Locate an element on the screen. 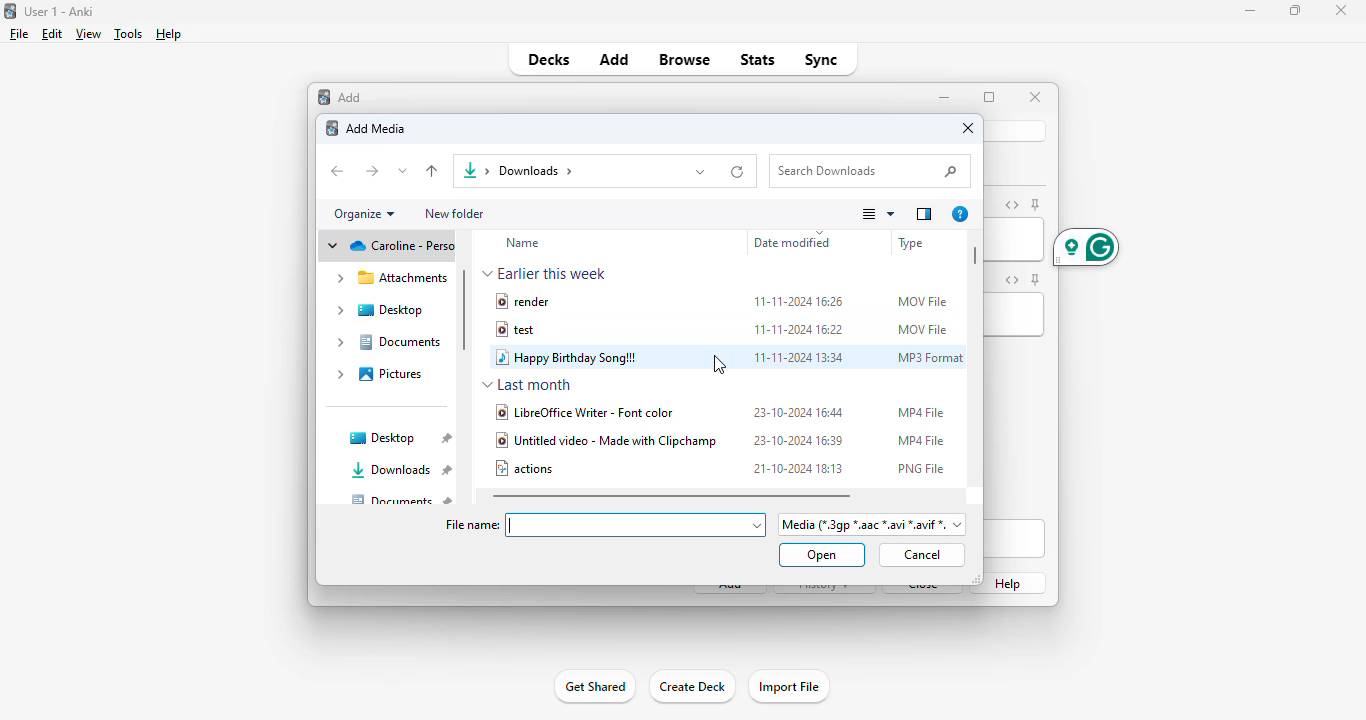 The width and height of the screenshot is (1366, 720). vertical scroll bar is located at coordinates (465, 309).